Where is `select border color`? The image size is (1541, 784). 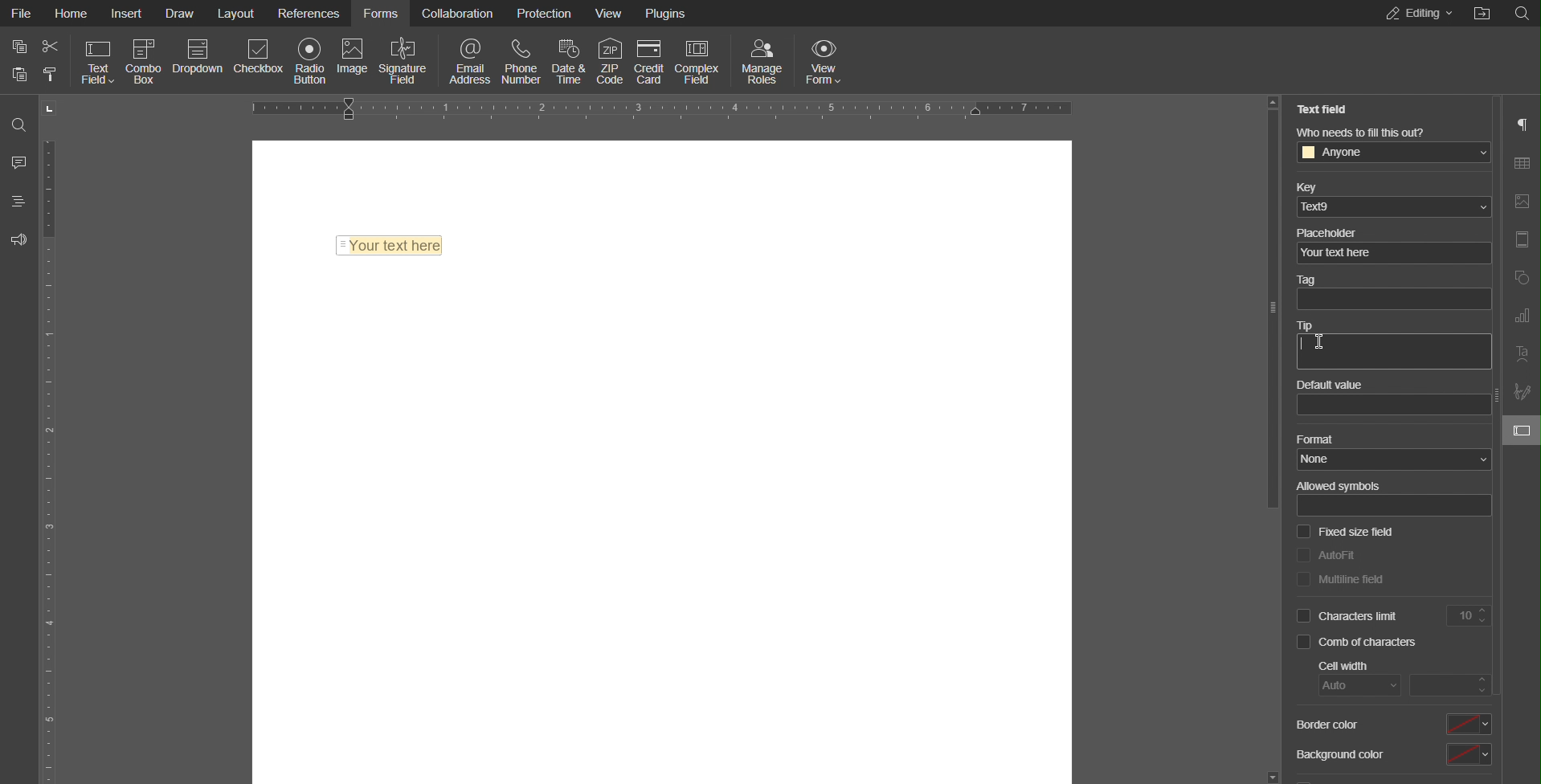
select border color is located at coordinates (1468, 724).